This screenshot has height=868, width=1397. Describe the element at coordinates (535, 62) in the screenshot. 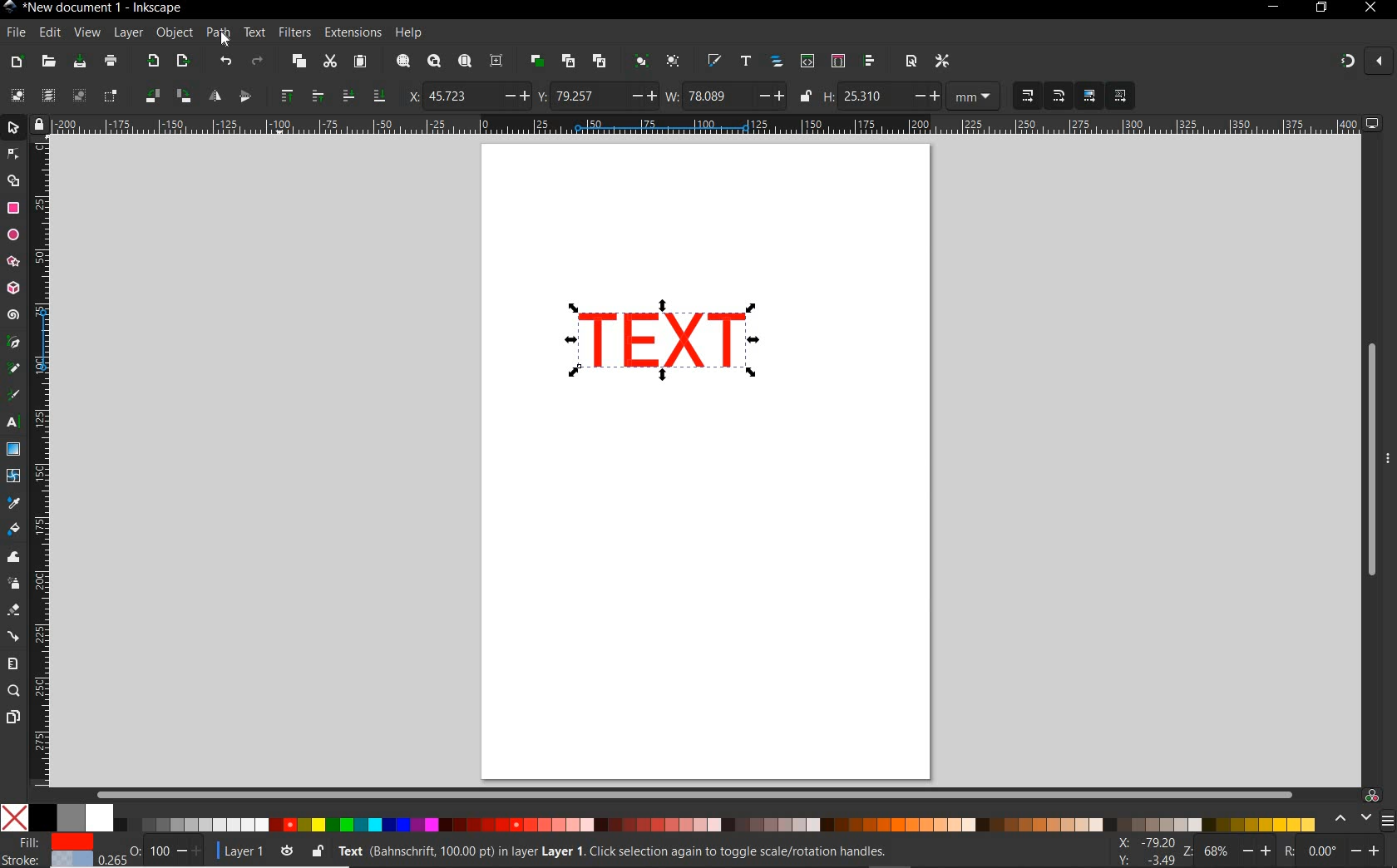

I see `DUPLICATE` at that location.